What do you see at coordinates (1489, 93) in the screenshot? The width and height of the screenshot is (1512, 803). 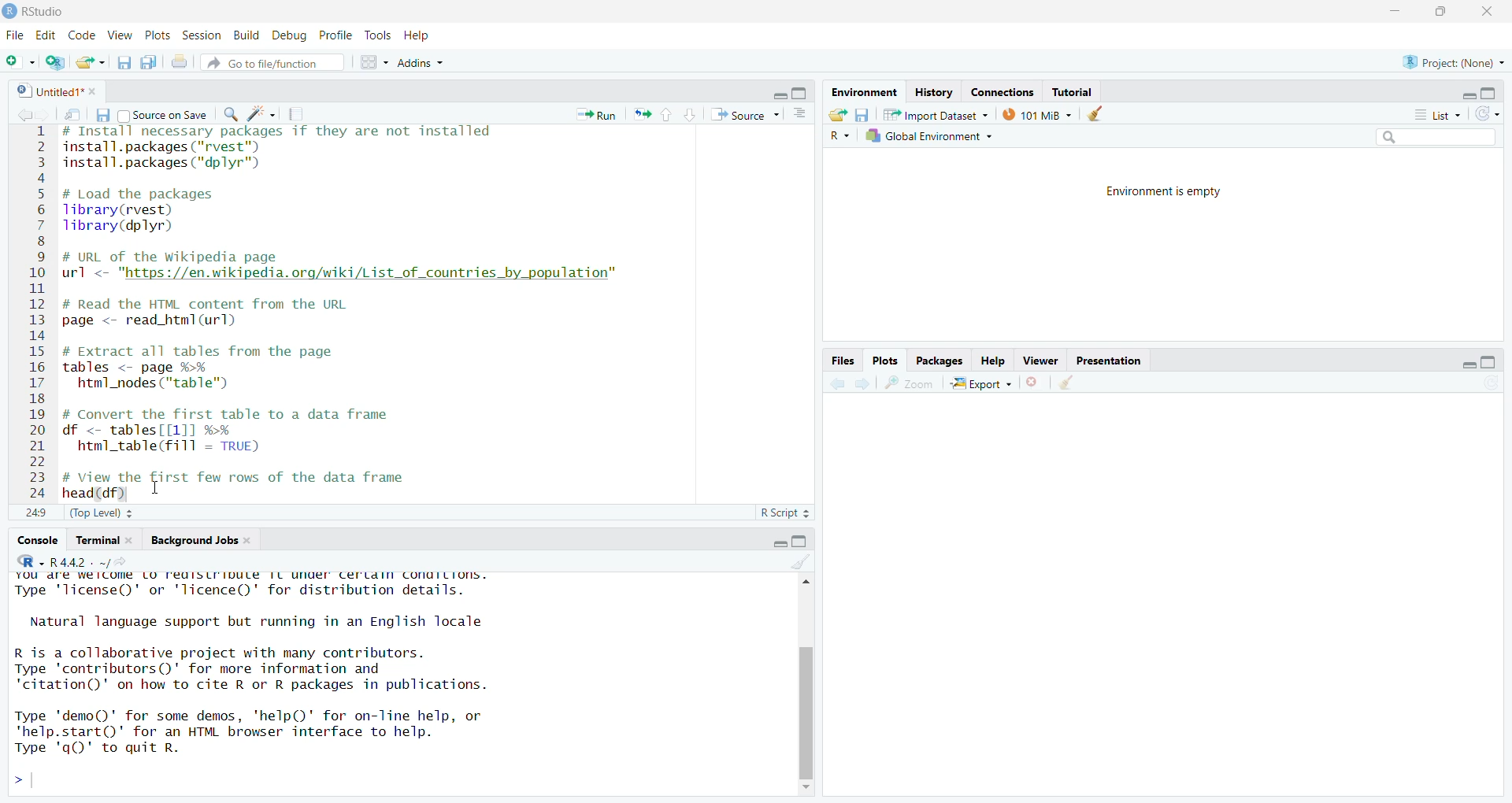 I see `maximize` at bounding box center [1489, 93].